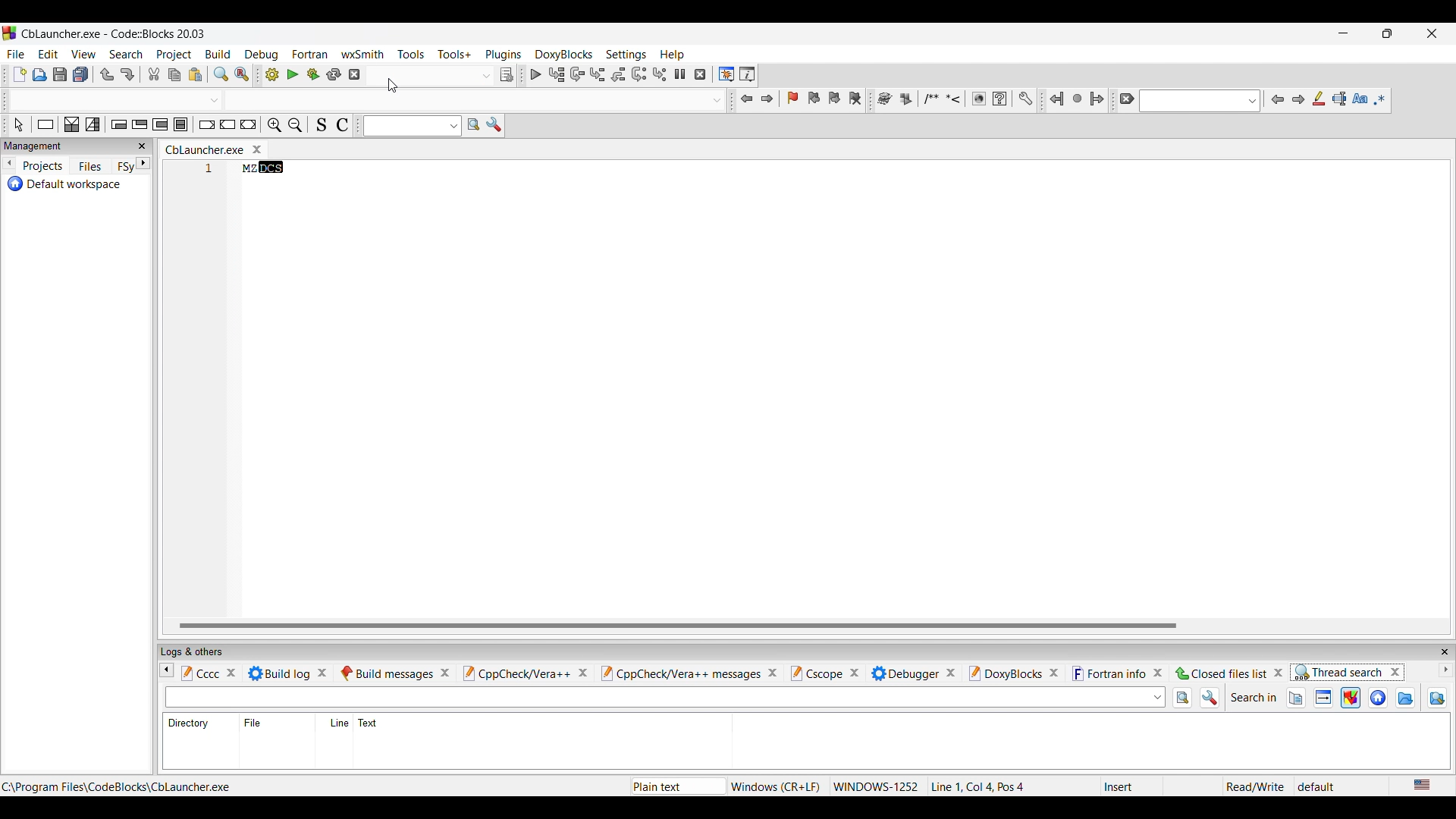 The image size is (1456, 819). Describe the element at coordinates (249, 170) in the screenshot. I see `MZ DCS` at that location.